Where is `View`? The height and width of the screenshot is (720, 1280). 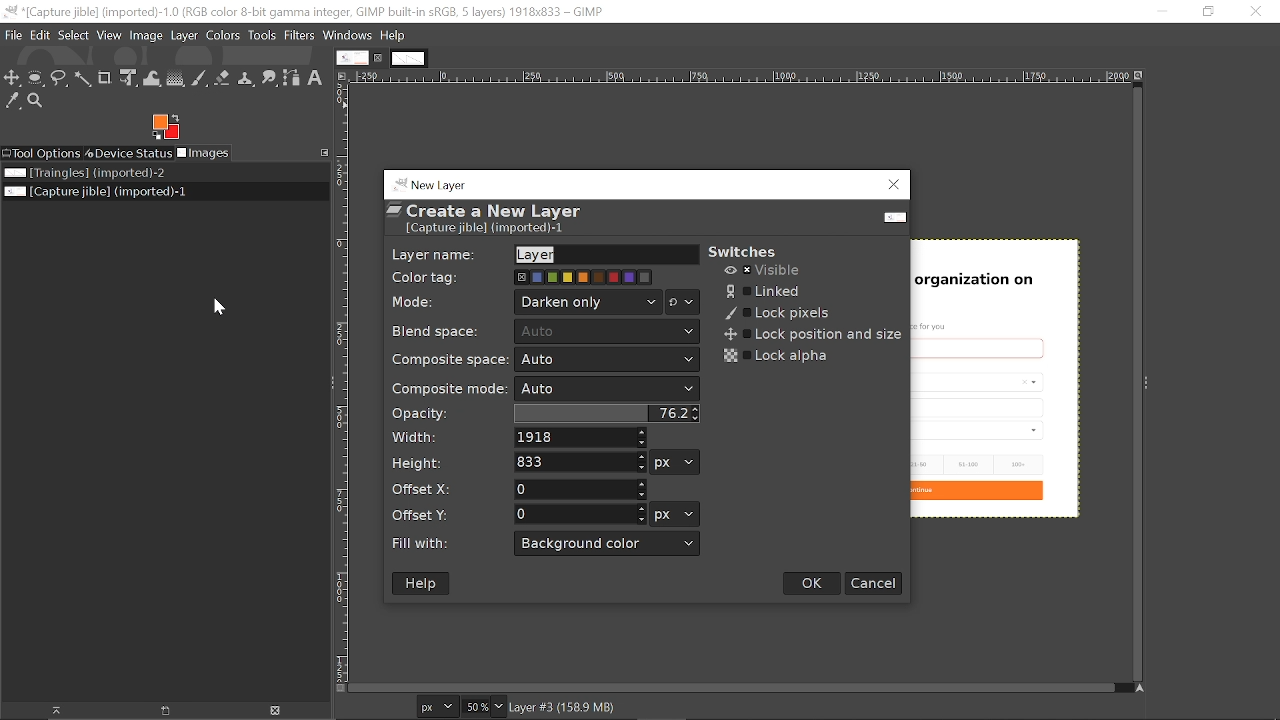
View is located at coordinates (109, 35).